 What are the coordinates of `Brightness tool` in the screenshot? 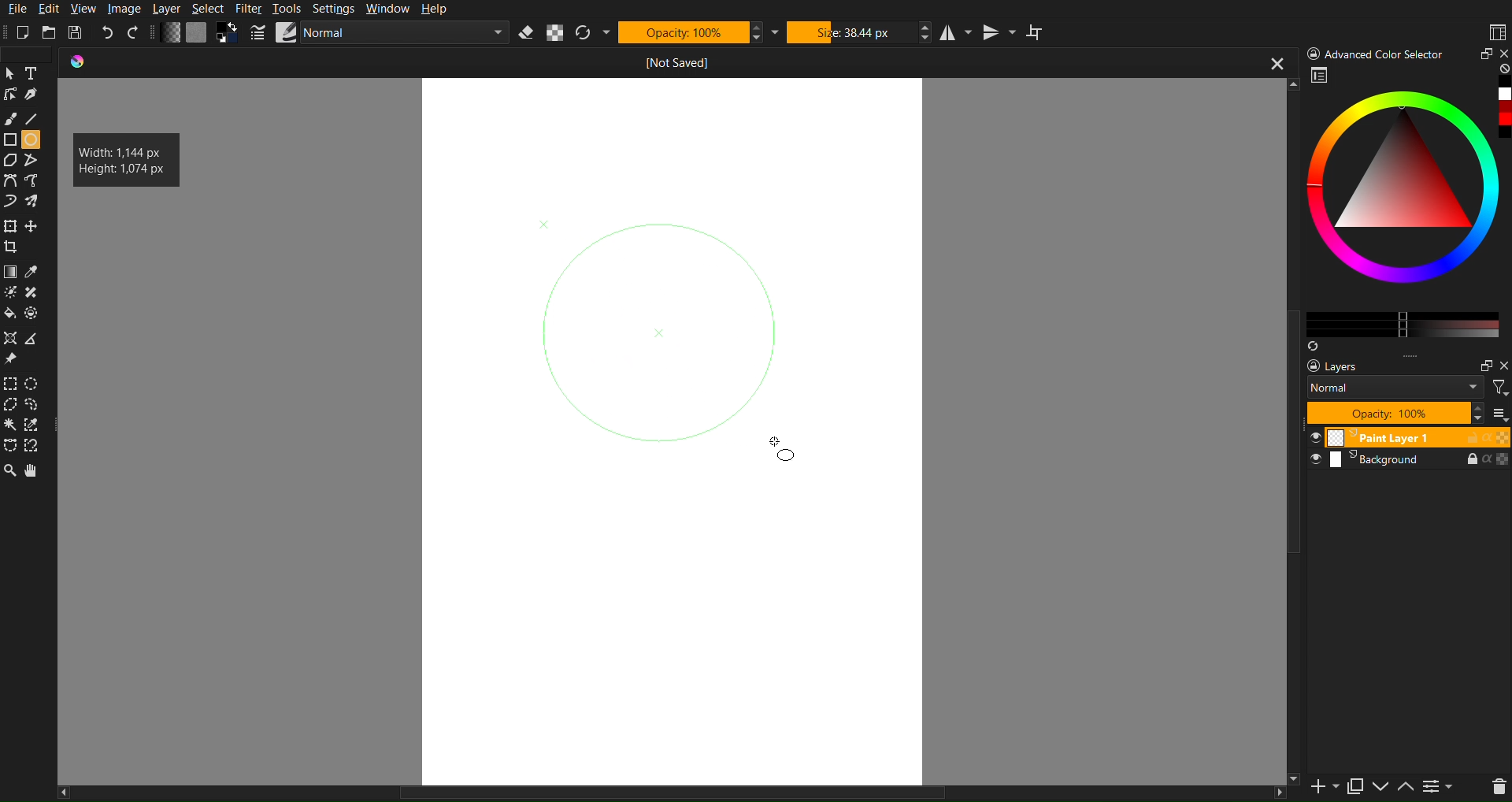 It's located at (9, 295).